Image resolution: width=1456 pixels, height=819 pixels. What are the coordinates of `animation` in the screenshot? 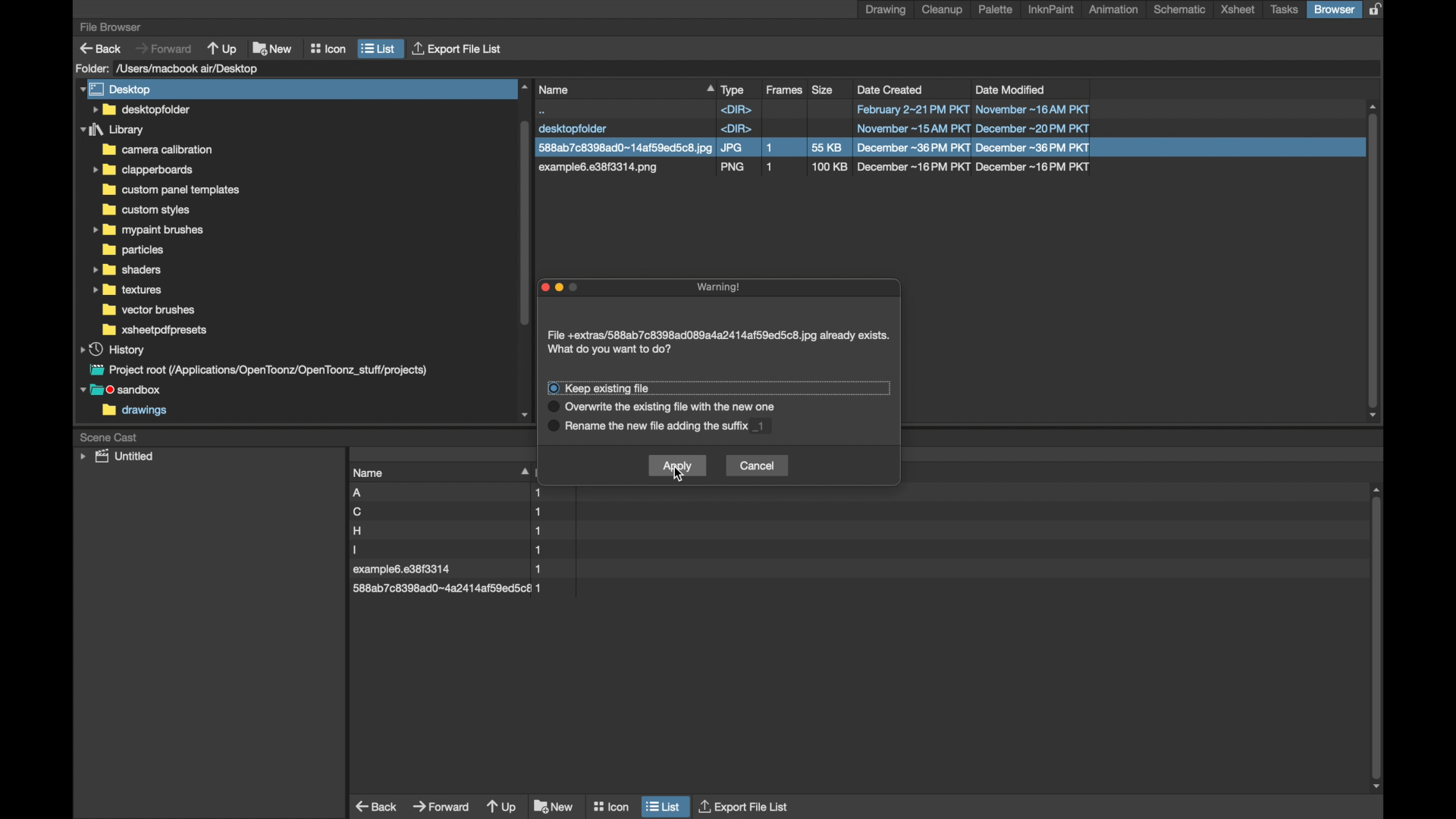 It's located at (1115, 9).